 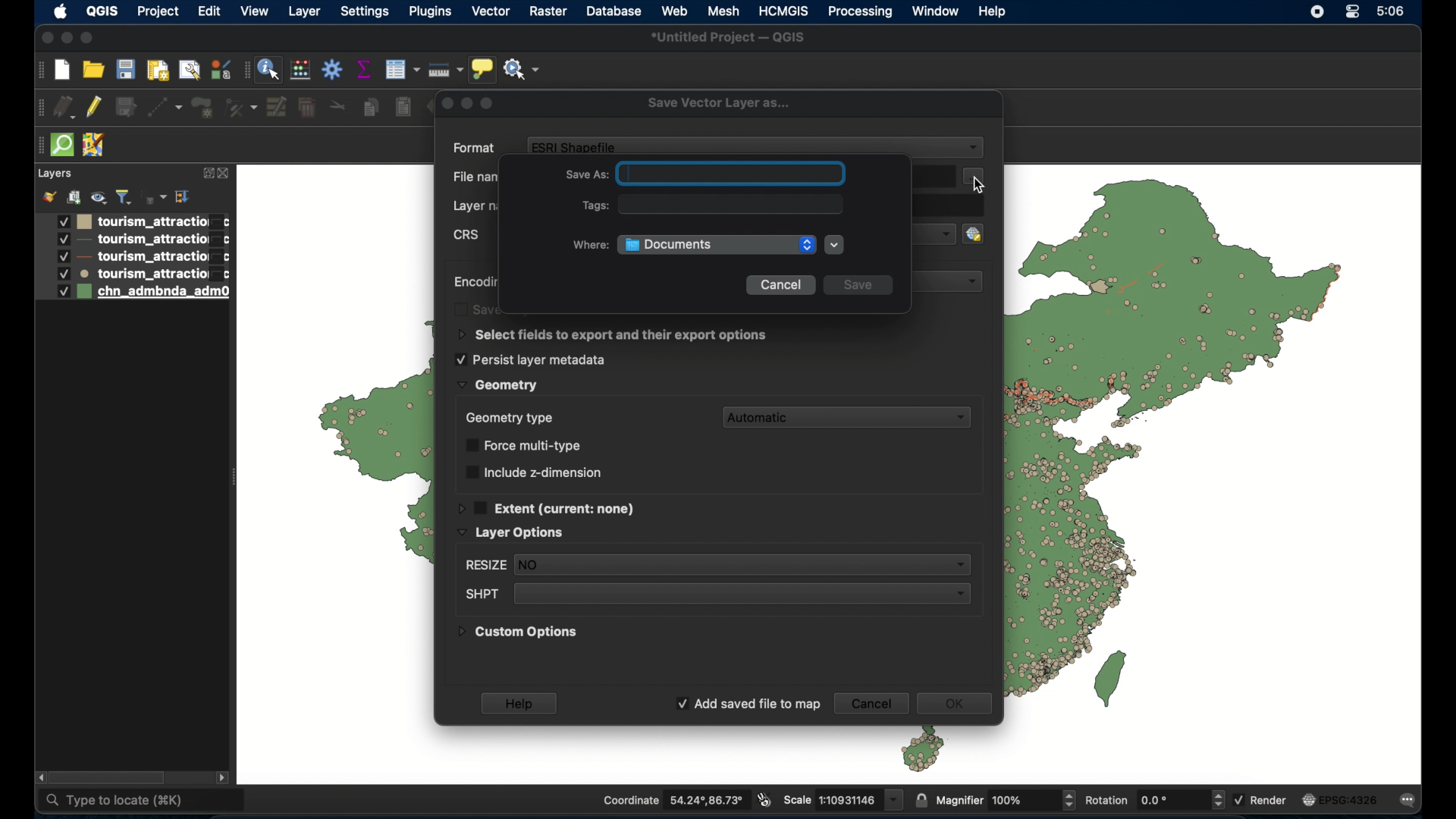 What do you see at coordinates (974, 149) in the screenshot?
I see `dropdown` at bounding box center [974, 149].